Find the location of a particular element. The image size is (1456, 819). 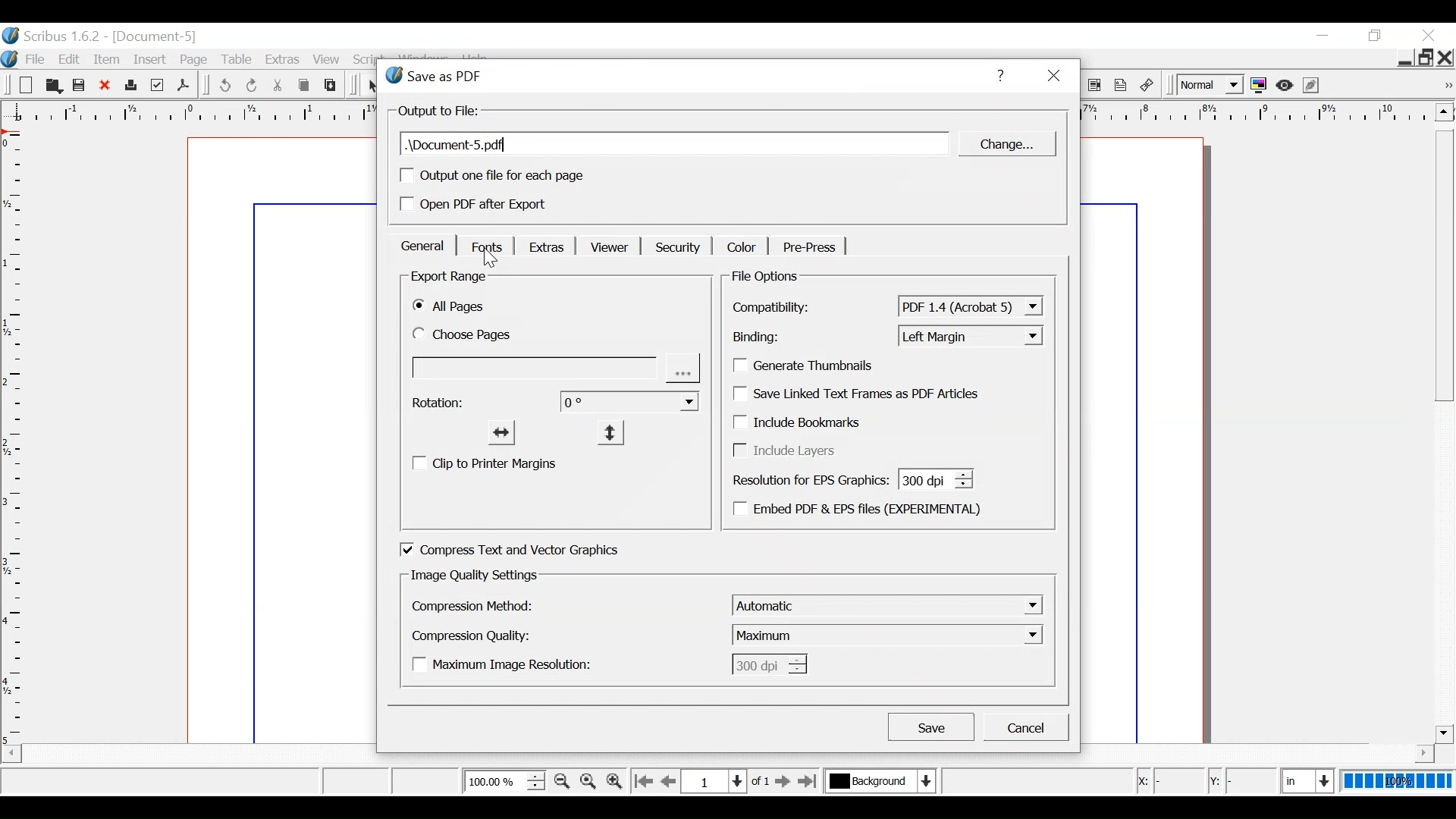

Zoom is located at coordinates (504, 780).